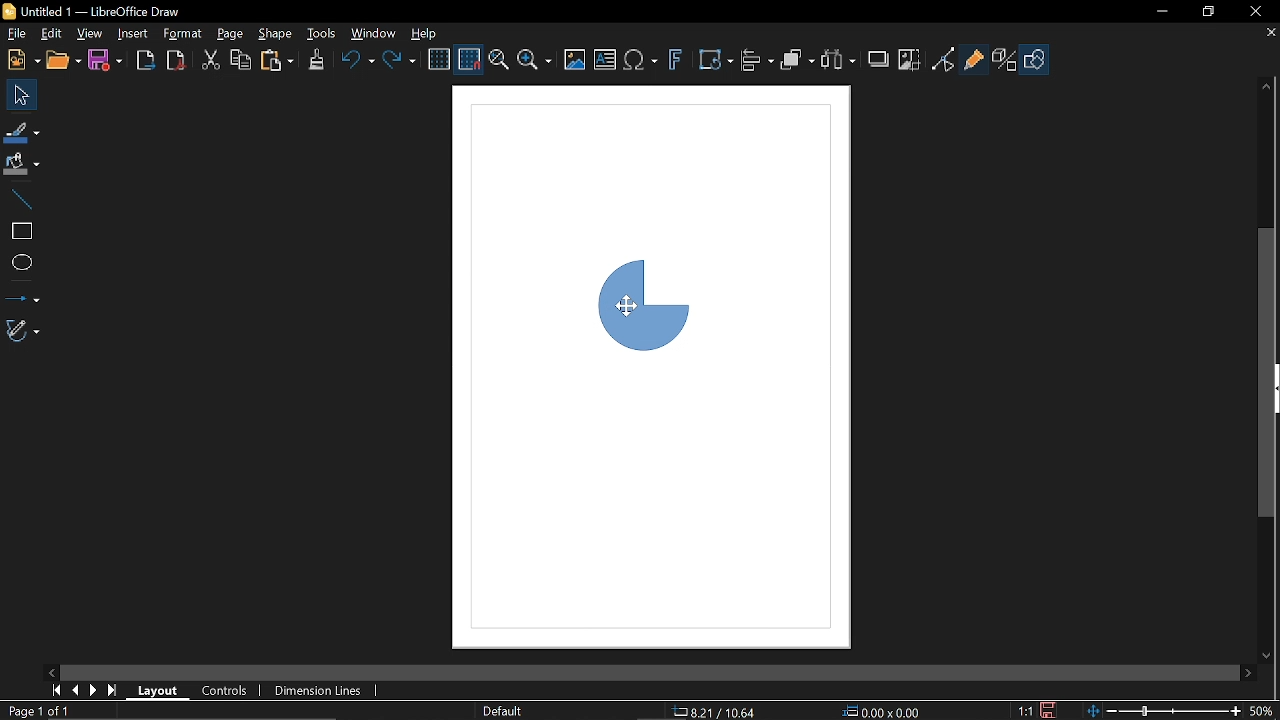 Image resolution: width=1280 pixels, height=720 pixels. Describe the element at coordinates (90, 34) in the screenshot. I see `View` at that location.